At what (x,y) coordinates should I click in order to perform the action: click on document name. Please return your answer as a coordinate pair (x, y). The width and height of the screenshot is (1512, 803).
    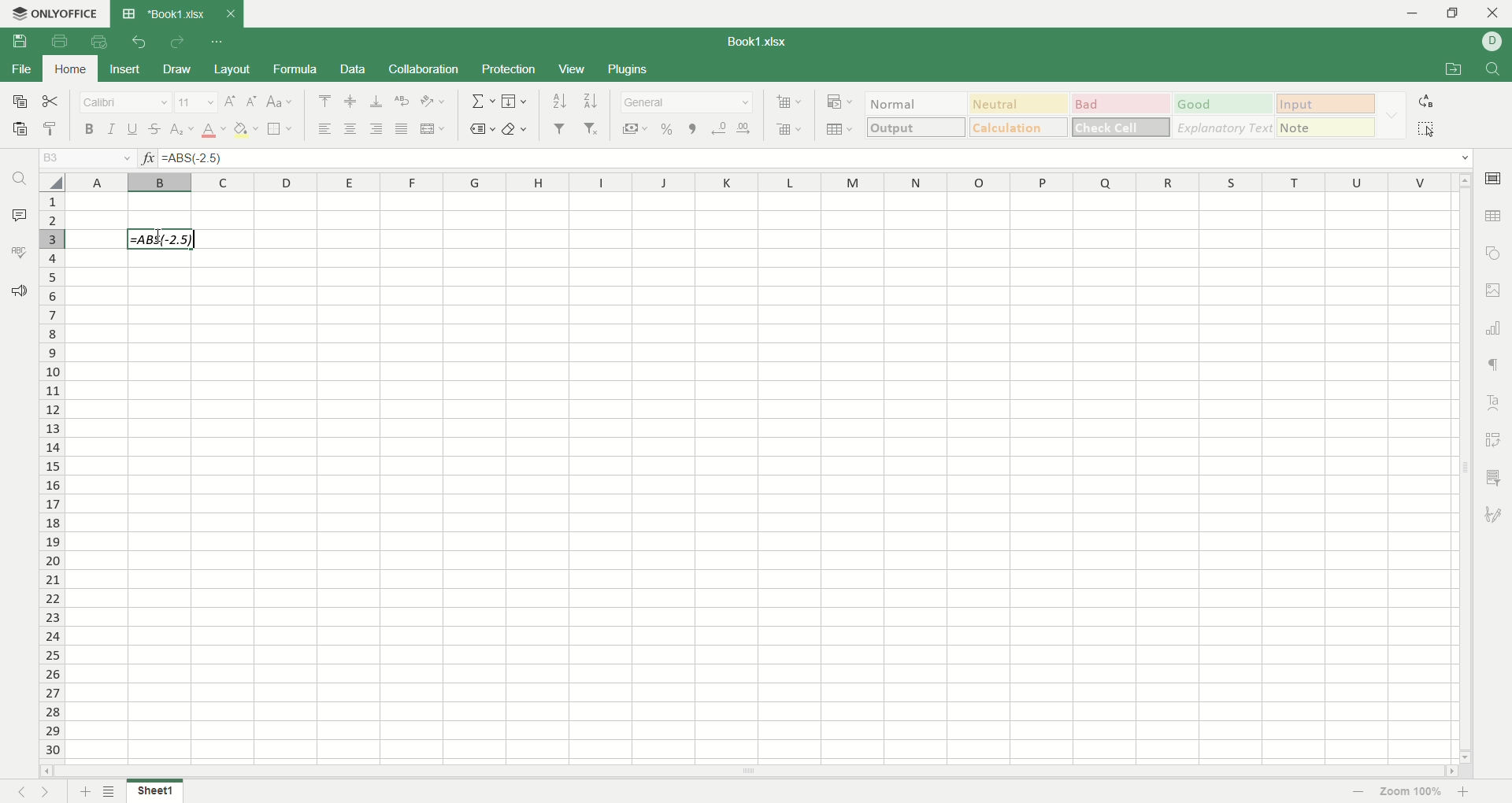
    Looking at the image, I should click on (760, 41).